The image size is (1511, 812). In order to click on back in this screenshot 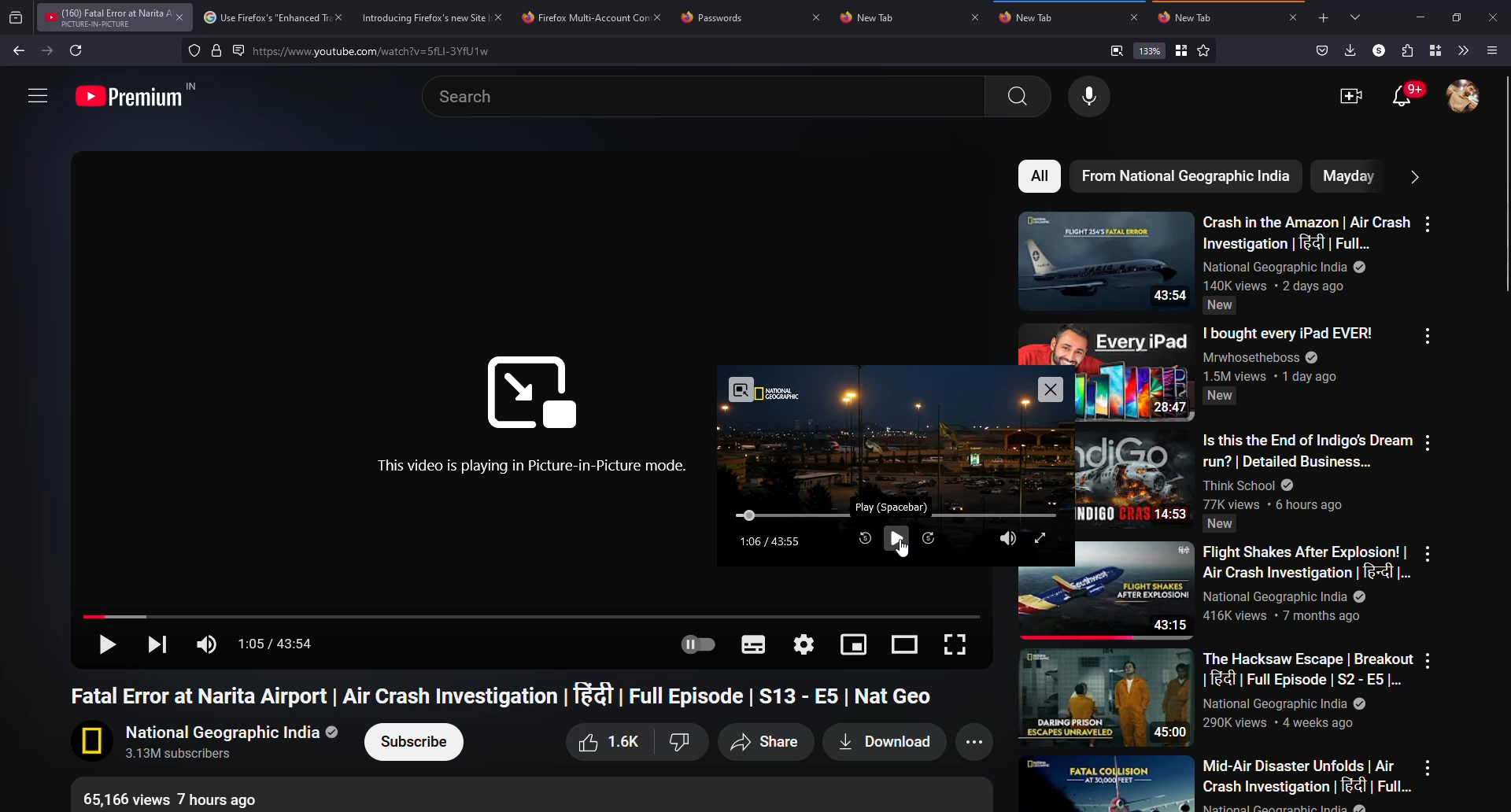, I will do `click(19, 52)`.